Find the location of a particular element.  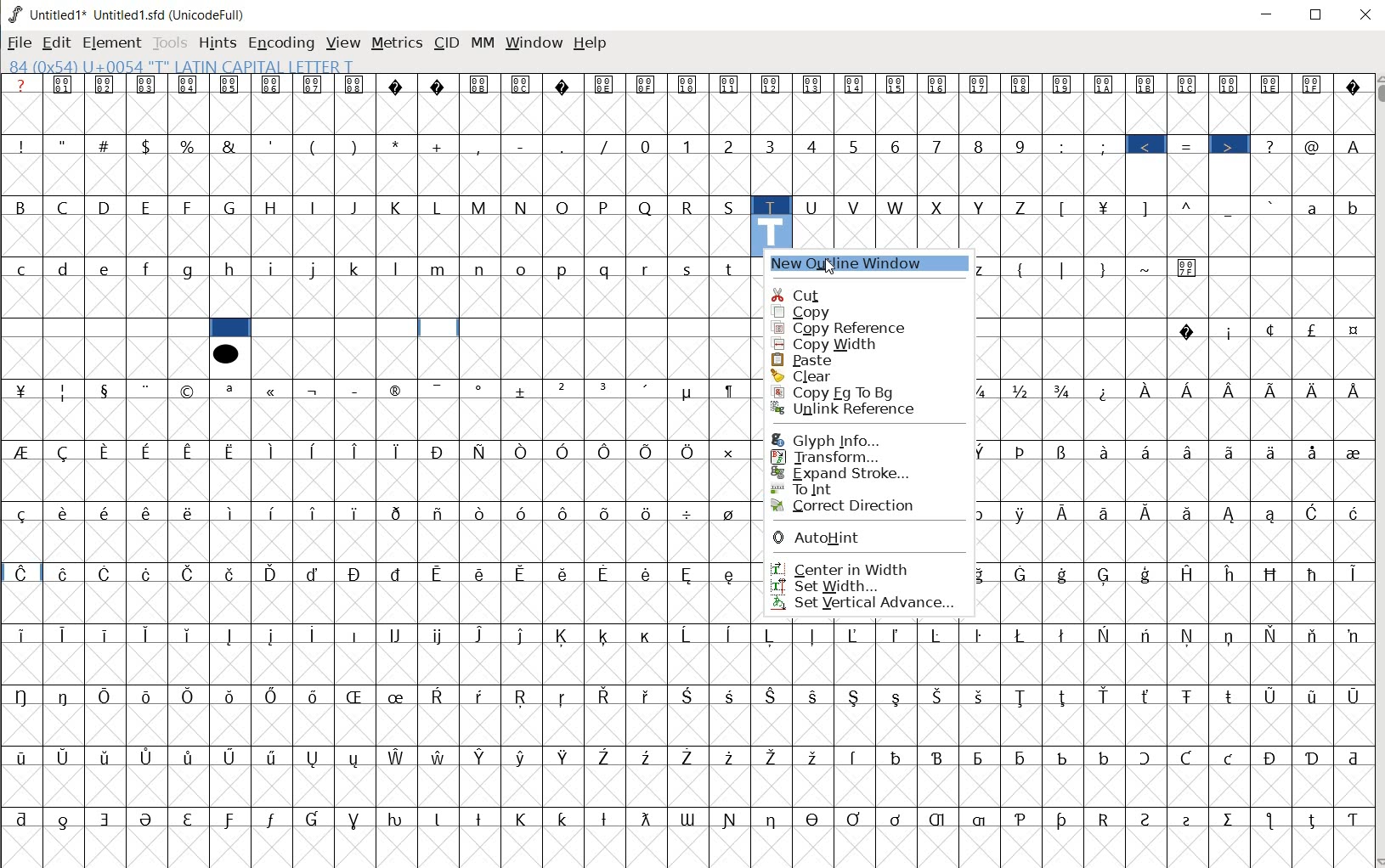

Symbol is located at coordinates (1063, 84).